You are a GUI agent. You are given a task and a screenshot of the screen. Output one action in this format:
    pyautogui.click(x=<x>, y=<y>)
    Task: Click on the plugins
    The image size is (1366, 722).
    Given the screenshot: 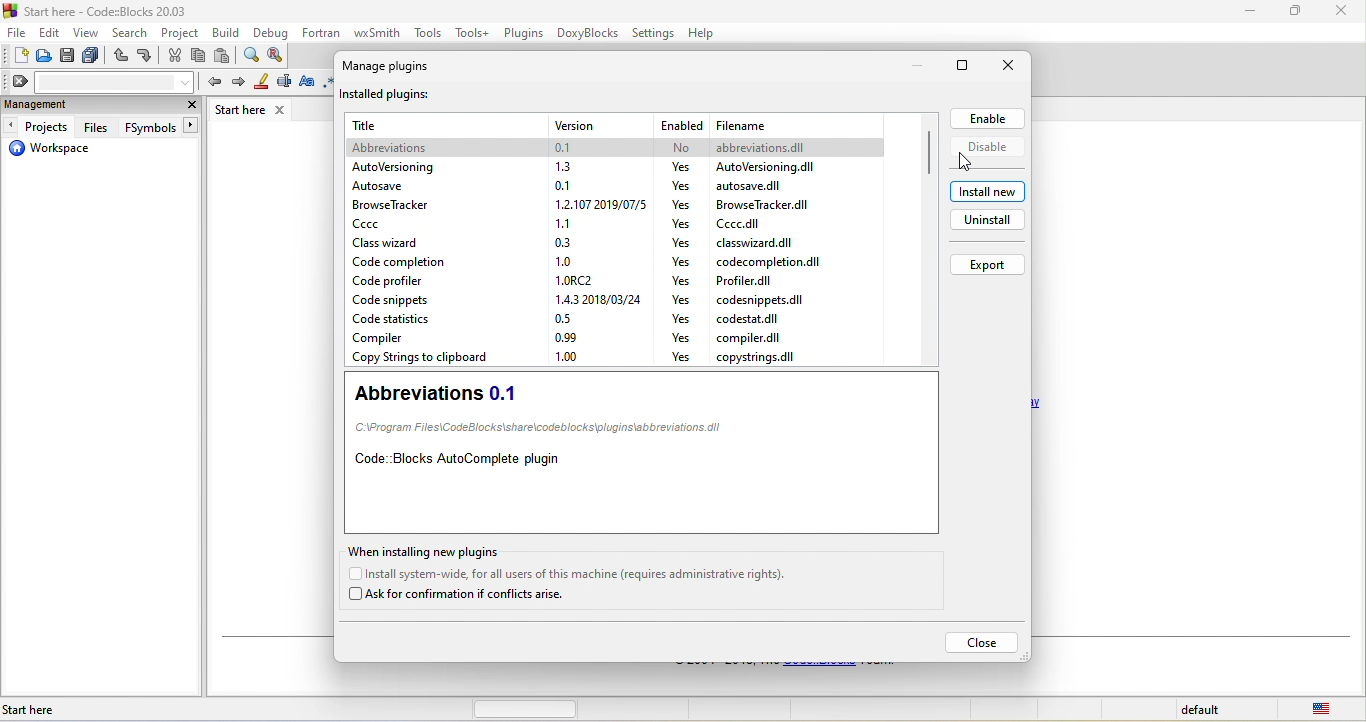 What is the action you would take?
    pyautogui.click(x=526, y=34)
    